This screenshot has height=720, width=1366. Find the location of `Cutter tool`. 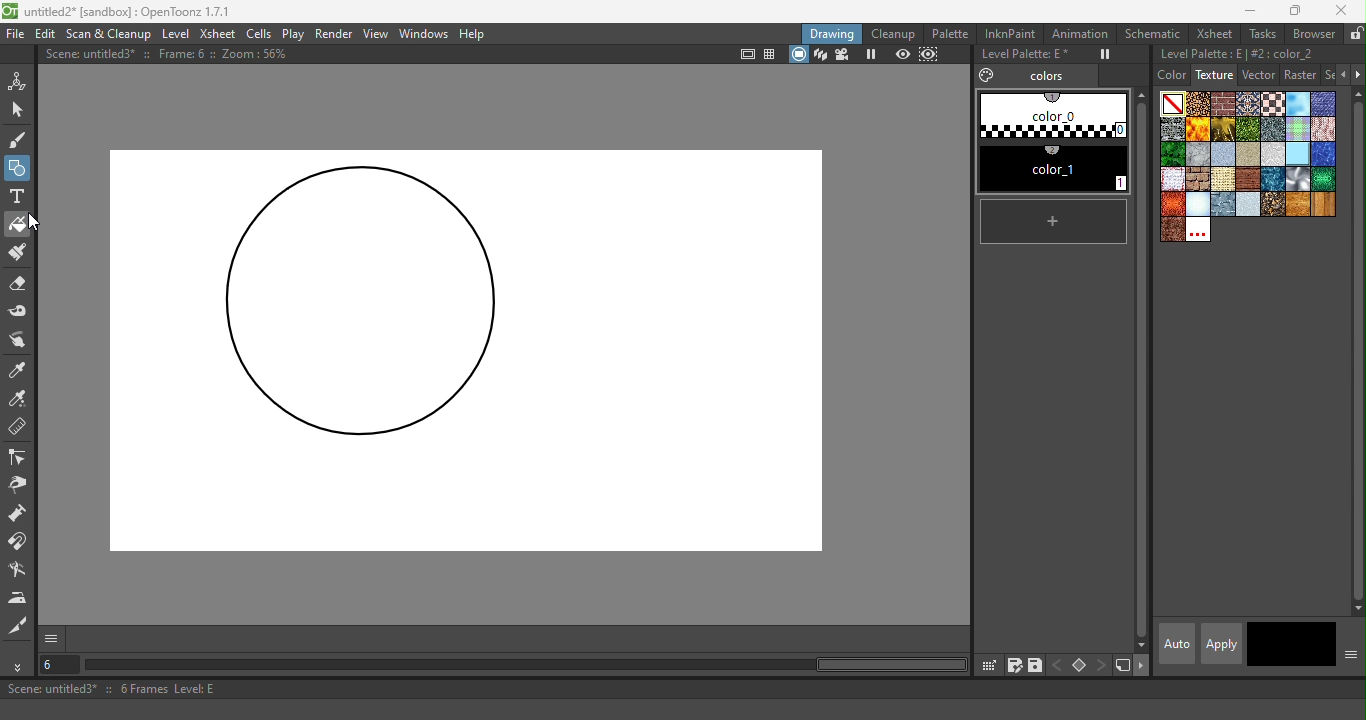

Cutter tool is located at coordinates (18, 627).